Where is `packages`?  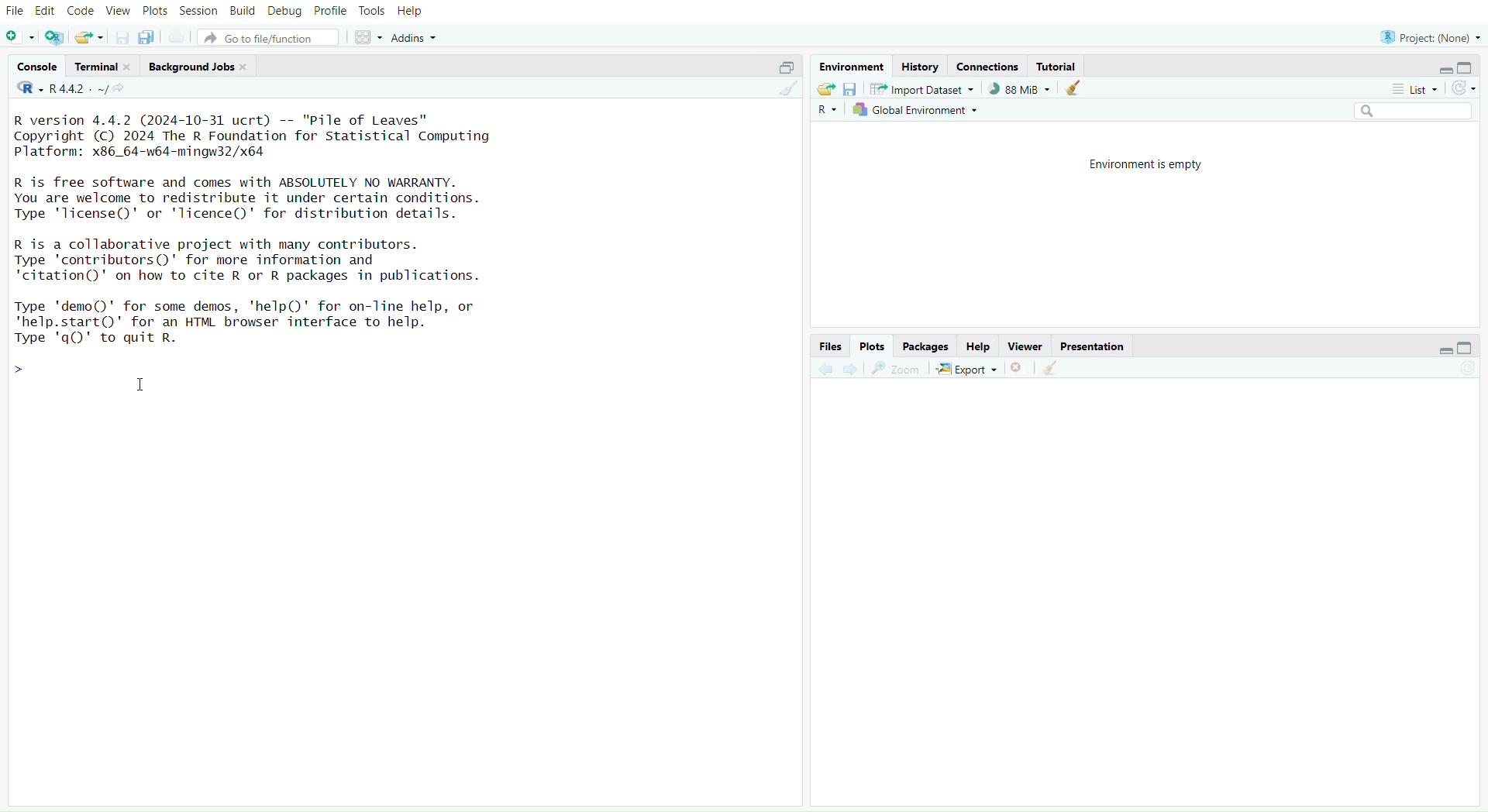
packages is located at coordinates (926, 347).